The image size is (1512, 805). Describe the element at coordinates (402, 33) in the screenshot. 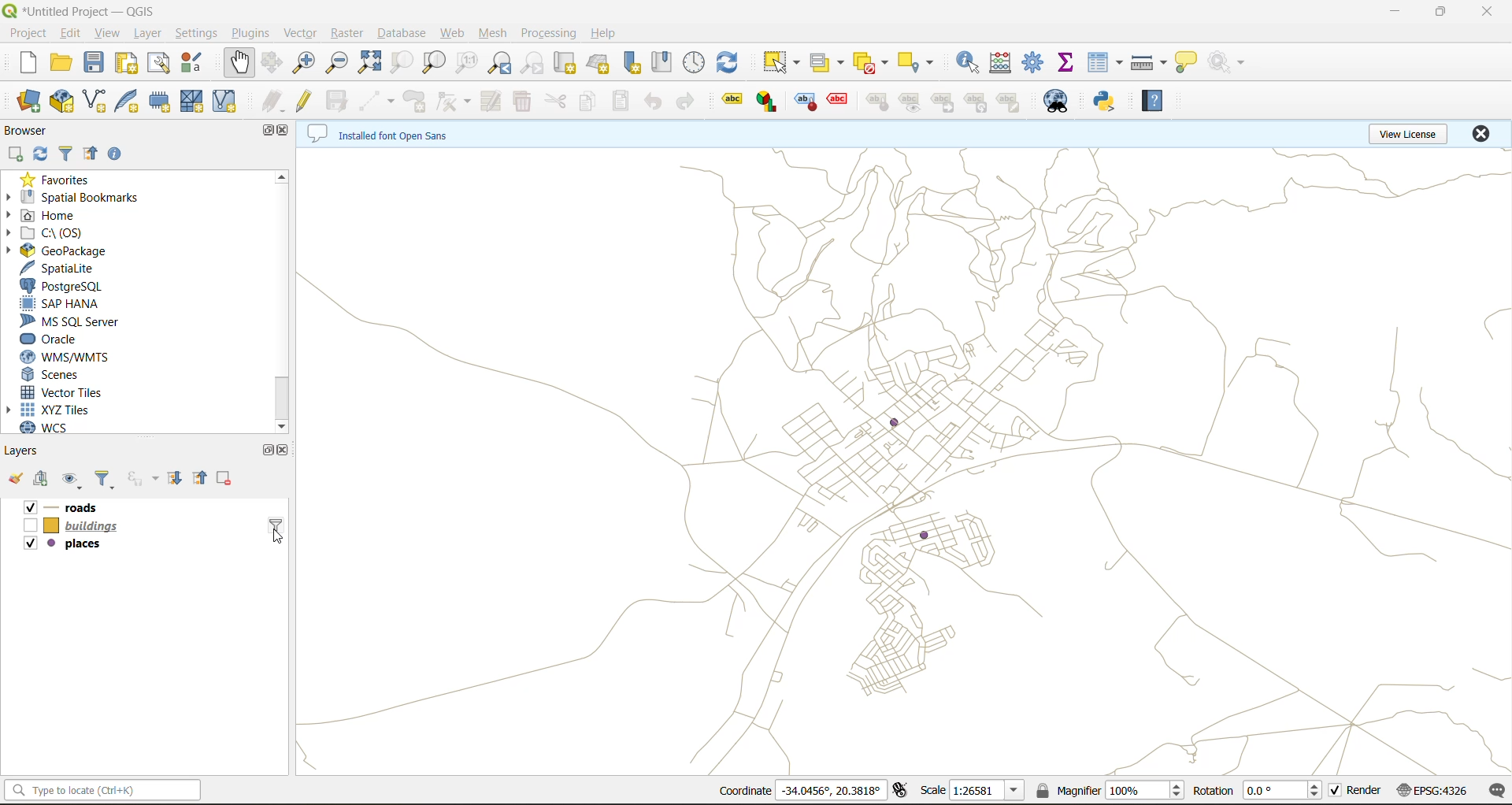

I see `database` at that location.